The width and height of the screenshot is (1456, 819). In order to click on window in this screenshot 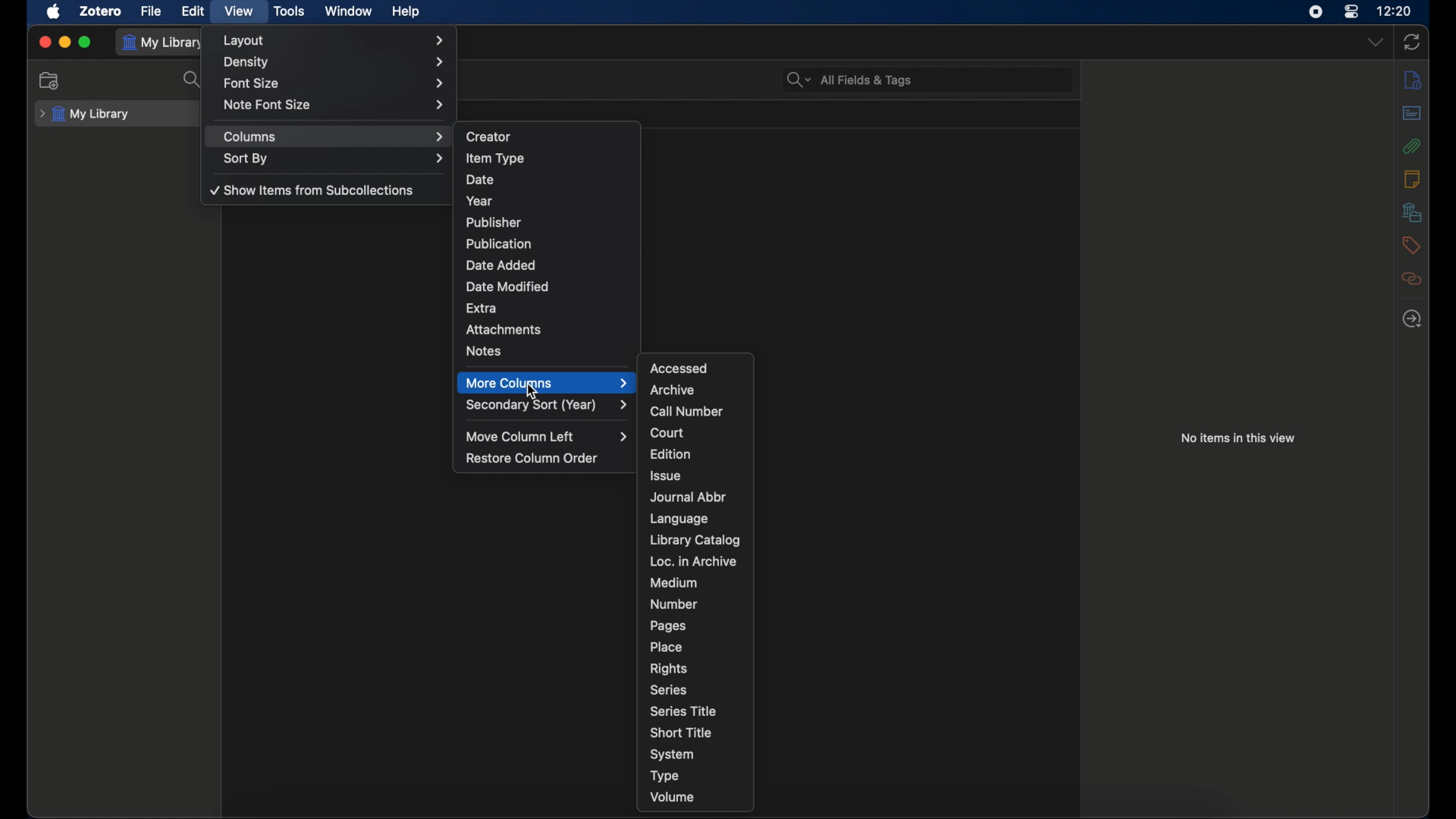, I will do `click(347, 11)`.